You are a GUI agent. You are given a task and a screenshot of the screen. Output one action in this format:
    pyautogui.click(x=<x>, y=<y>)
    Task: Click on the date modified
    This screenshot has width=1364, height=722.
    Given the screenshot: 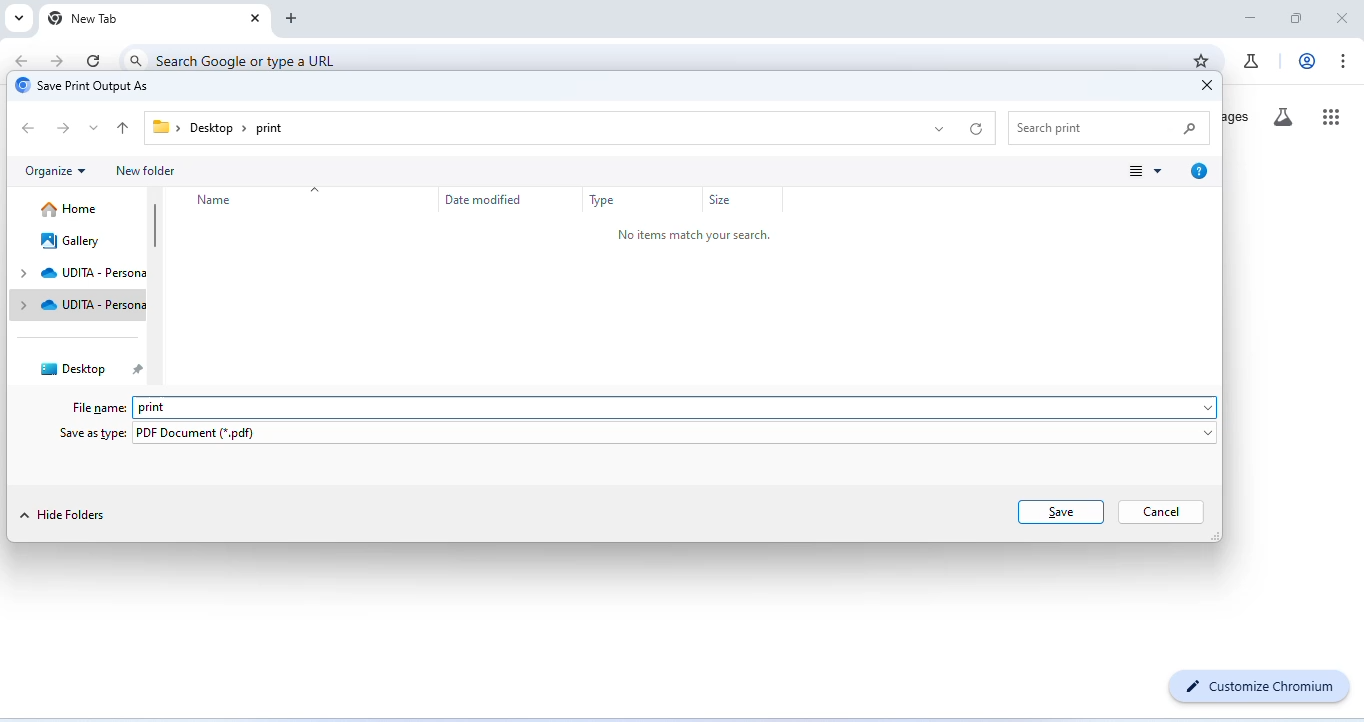 What is the action you would take?
    pyautogui.click(x=485, y=199)
    